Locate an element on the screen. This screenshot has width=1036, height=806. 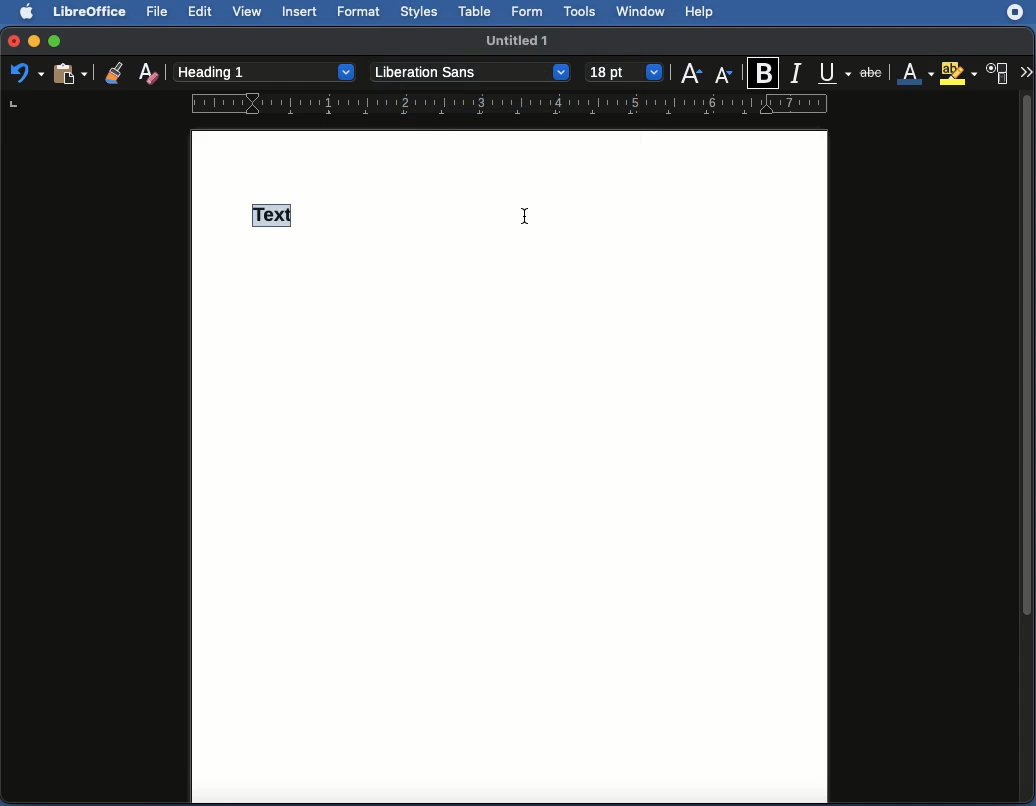
scroll bar is located at coordinates (1027, 447).